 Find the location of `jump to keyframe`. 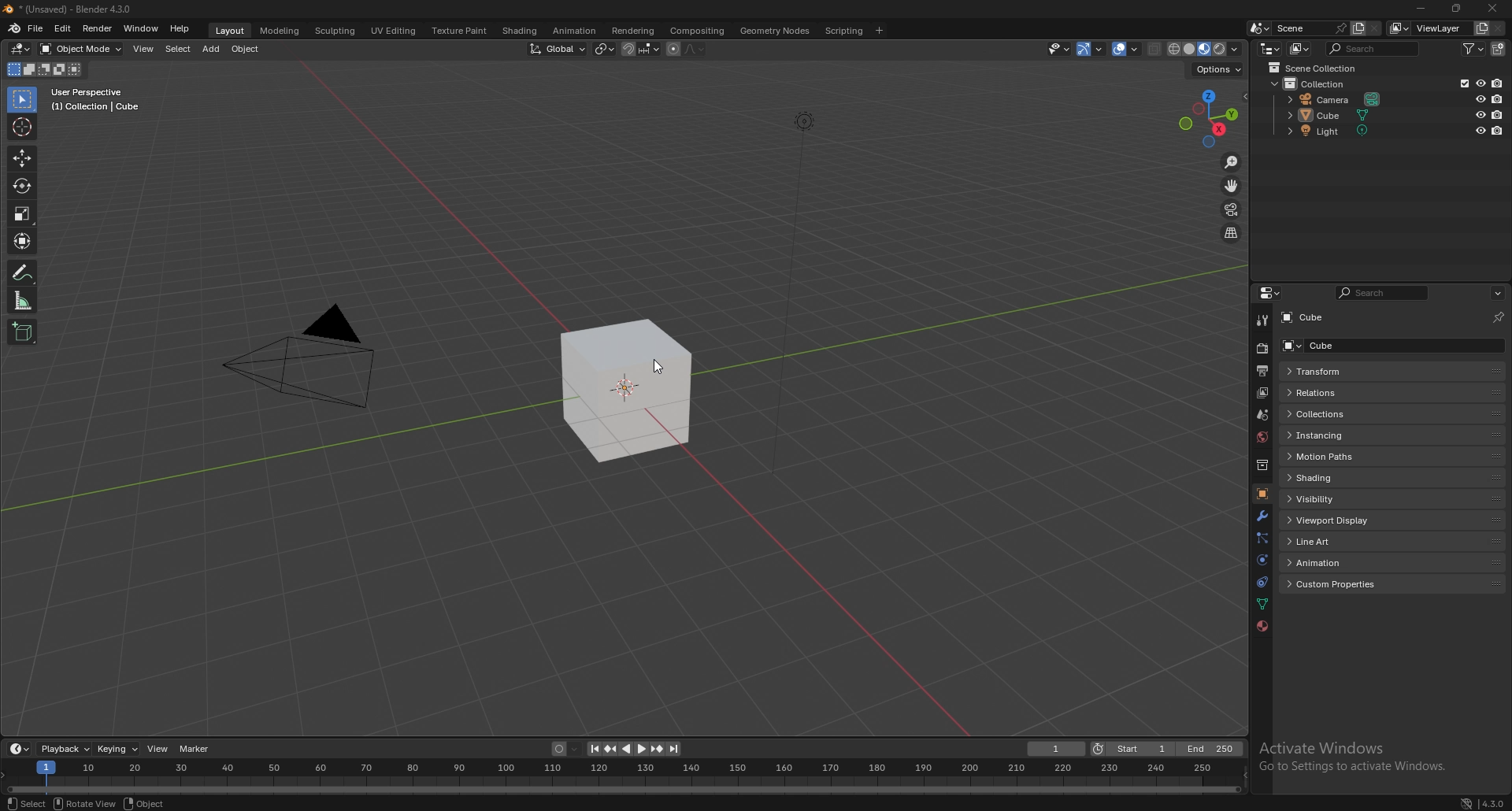

jump to keyframe is located at coordinates (612, 749).